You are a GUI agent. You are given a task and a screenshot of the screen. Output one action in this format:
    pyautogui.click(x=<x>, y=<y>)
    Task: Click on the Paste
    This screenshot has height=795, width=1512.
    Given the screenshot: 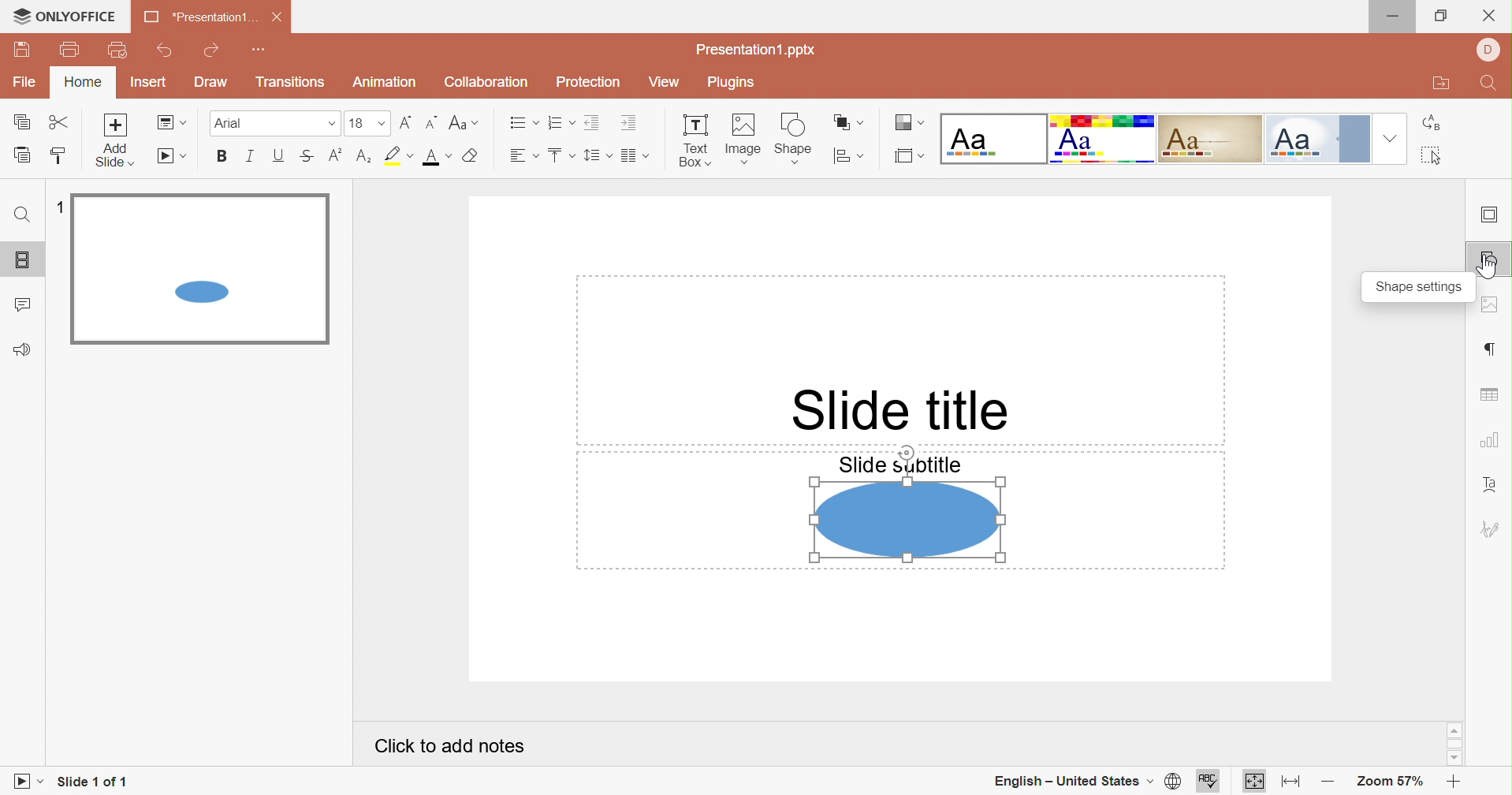 What is the action you would take?
    pyautogui.click(x=26, y=156)
    